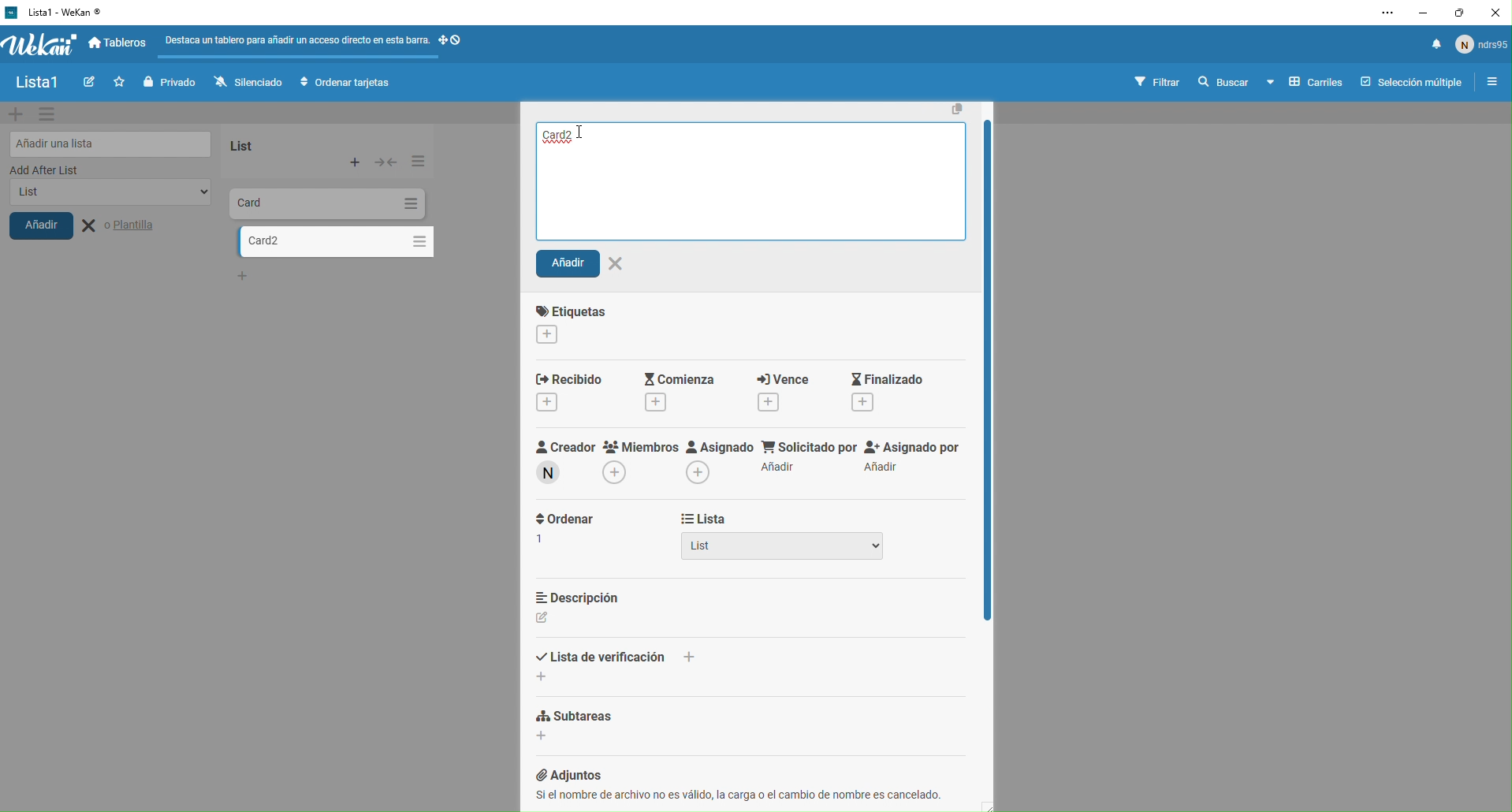 The width and height of the screenshot is (1512, 812). What do you see at coordinates (356, 162) in the screenshot?
I see `Add` at bounding box center [356, 162].